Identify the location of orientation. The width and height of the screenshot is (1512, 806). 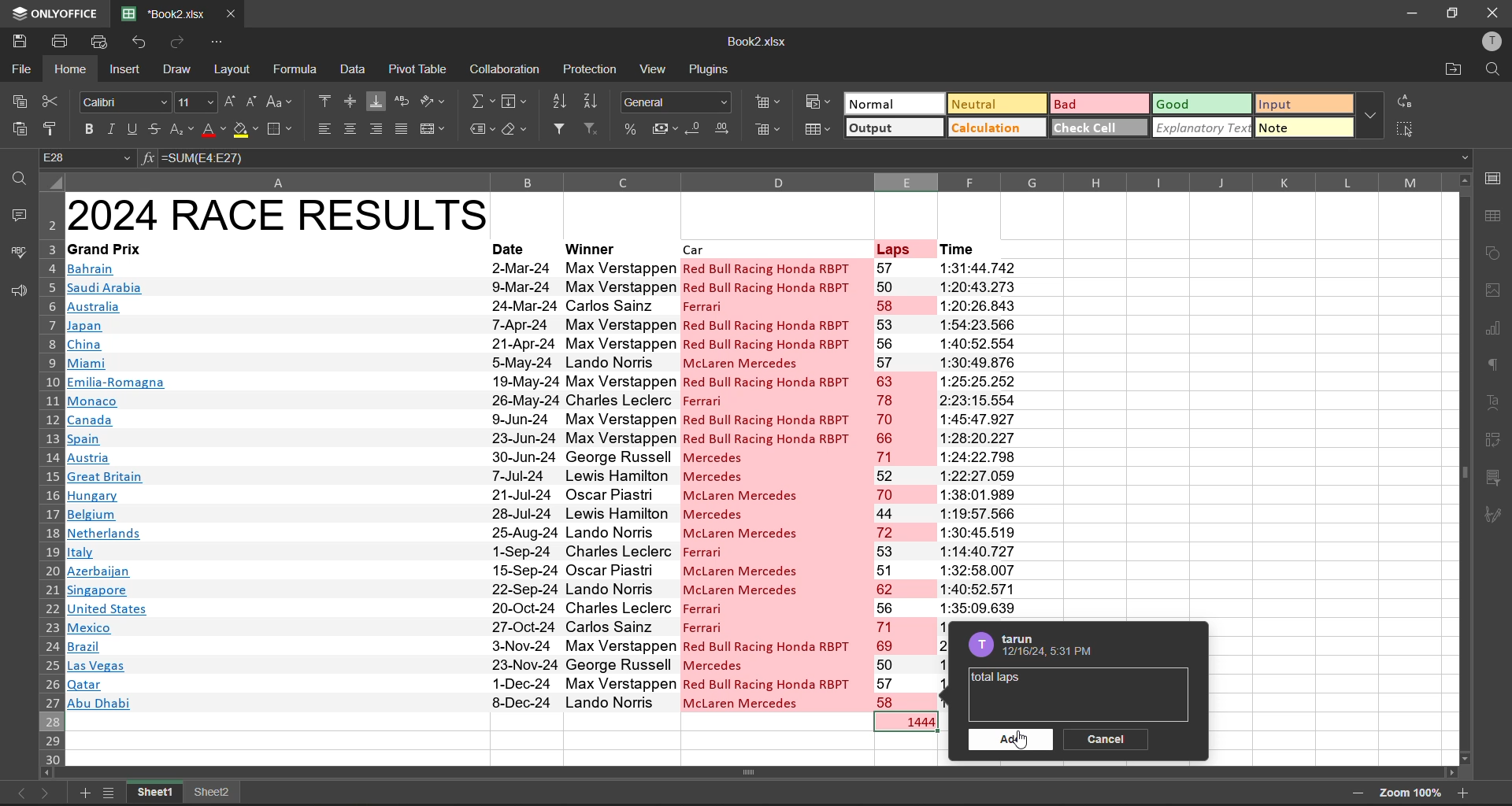
(434, 103).